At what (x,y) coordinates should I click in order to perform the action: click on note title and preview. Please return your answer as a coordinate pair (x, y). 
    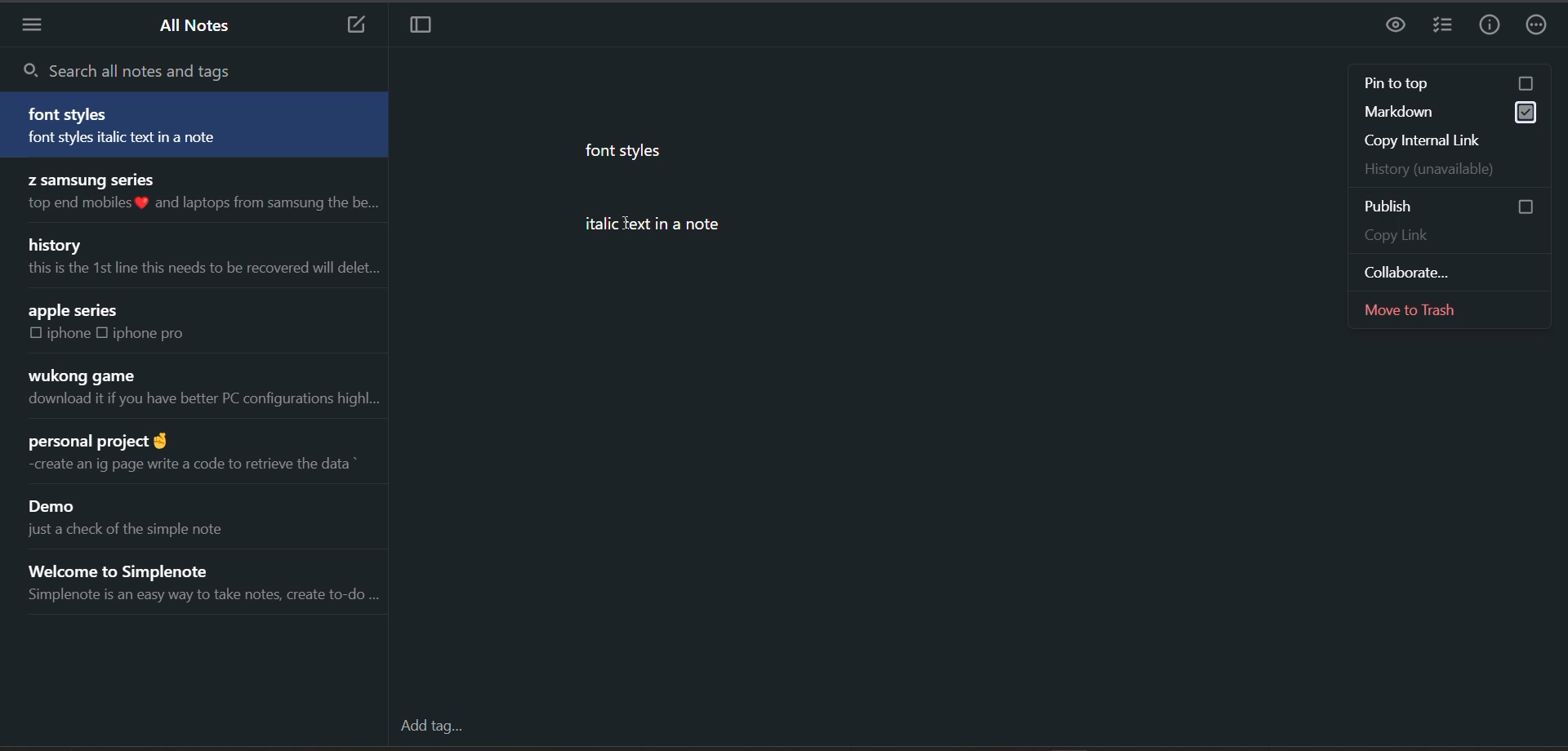
    Looking at the image, I should click on (136, 327).